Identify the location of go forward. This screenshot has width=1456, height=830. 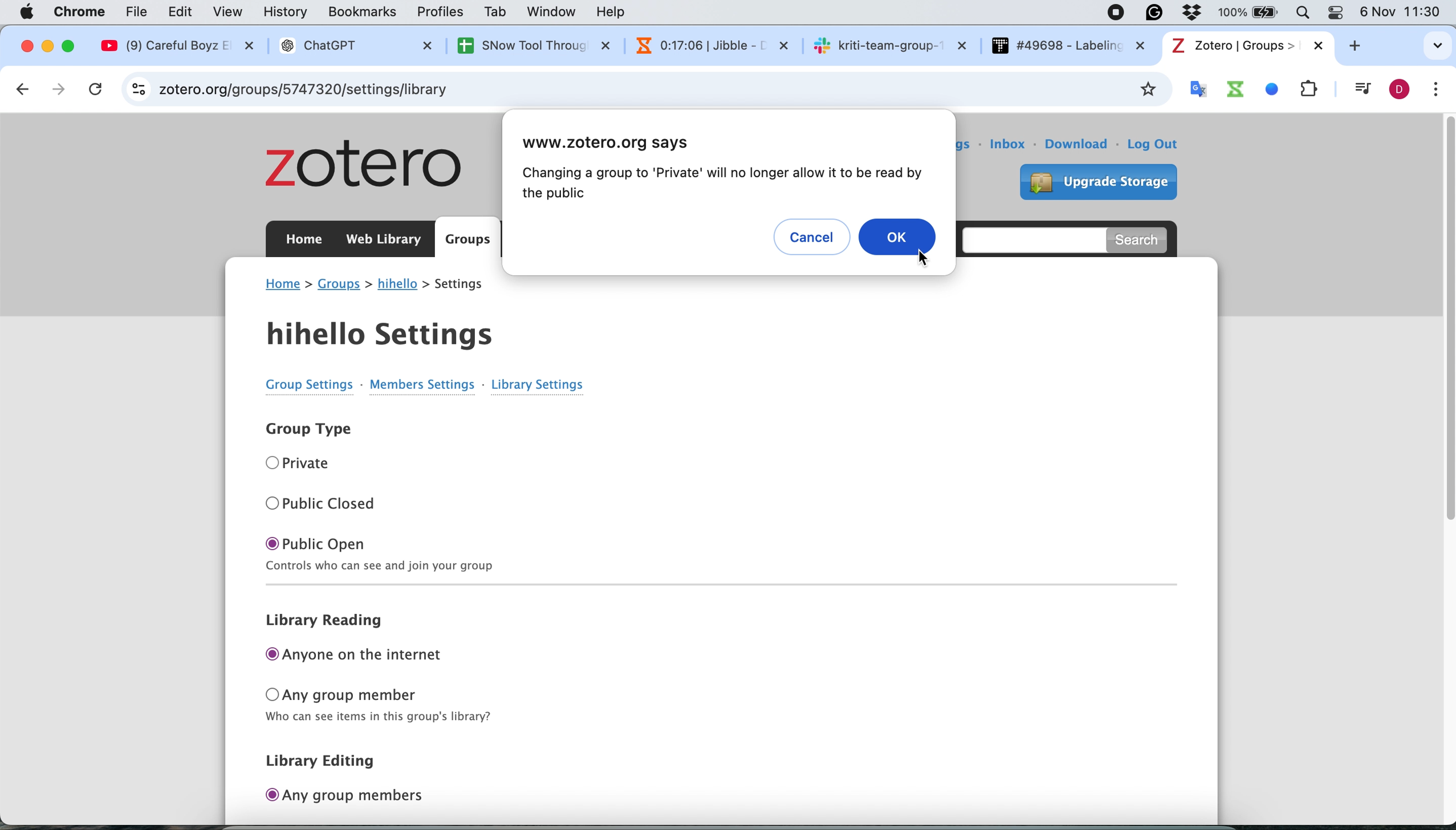
(61, 89).